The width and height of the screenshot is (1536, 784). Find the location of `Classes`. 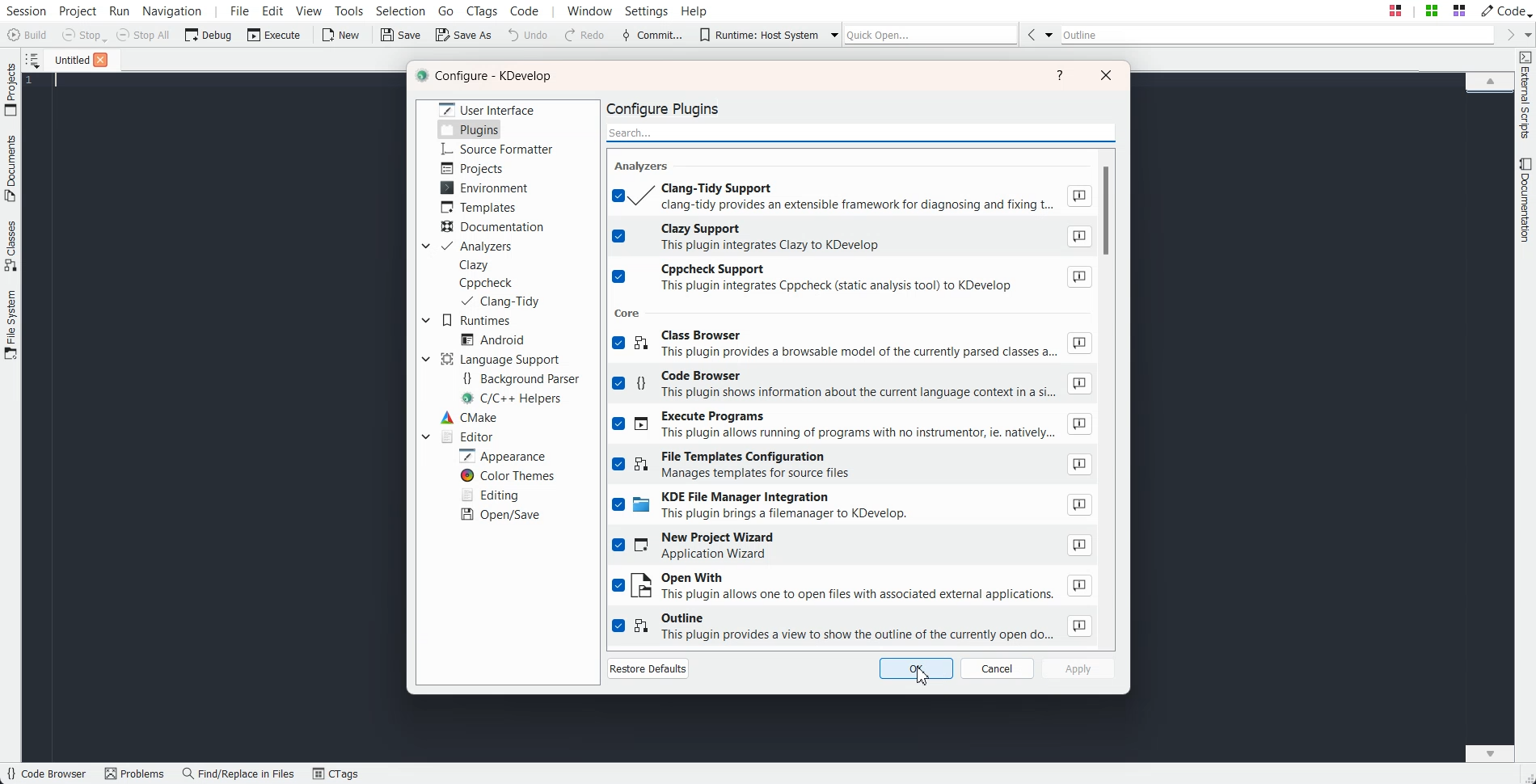

Classes is located at coordinates (11, 246).